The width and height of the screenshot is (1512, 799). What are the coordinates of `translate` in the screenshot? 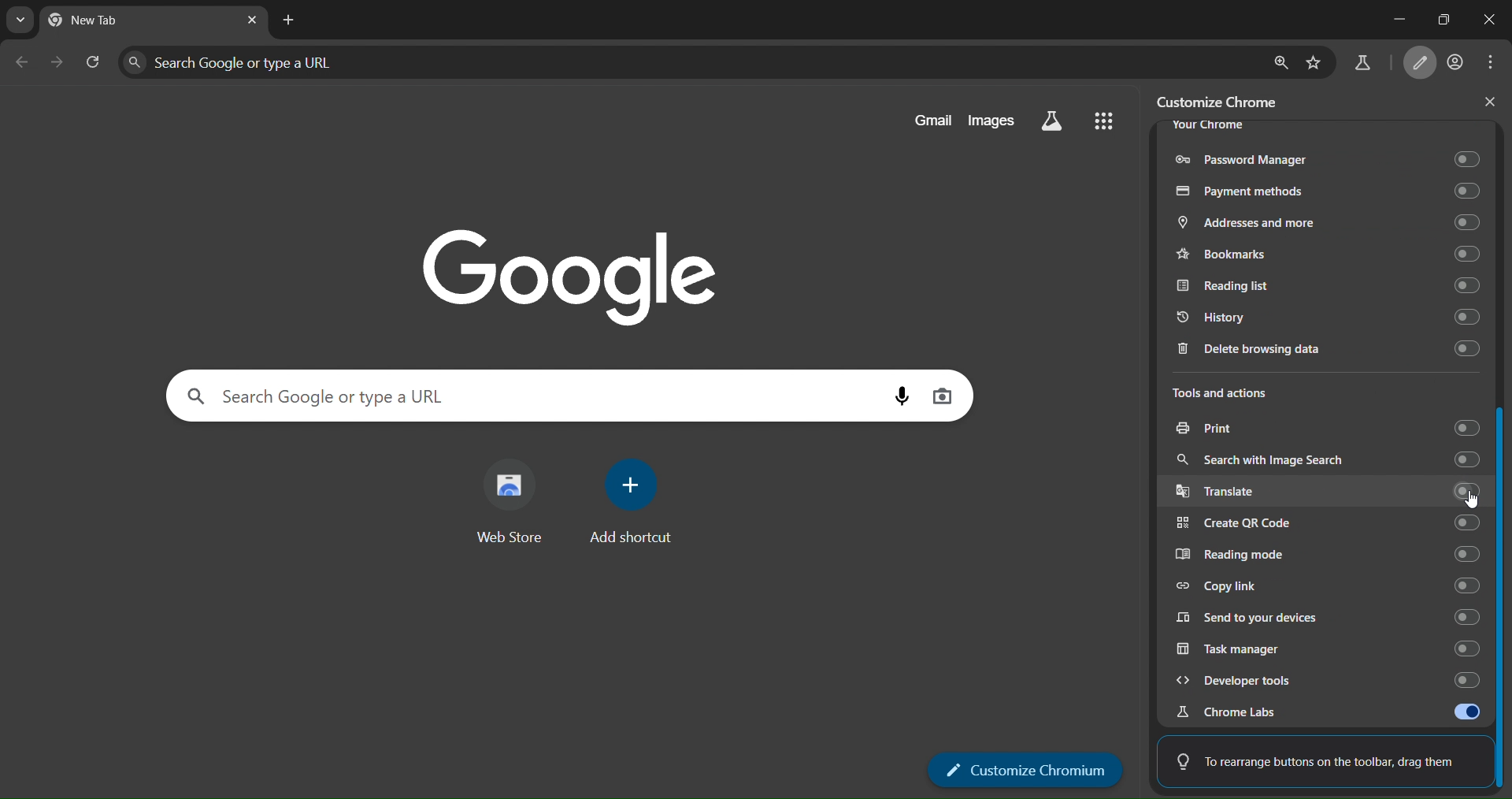 It's located at (1327, 491).